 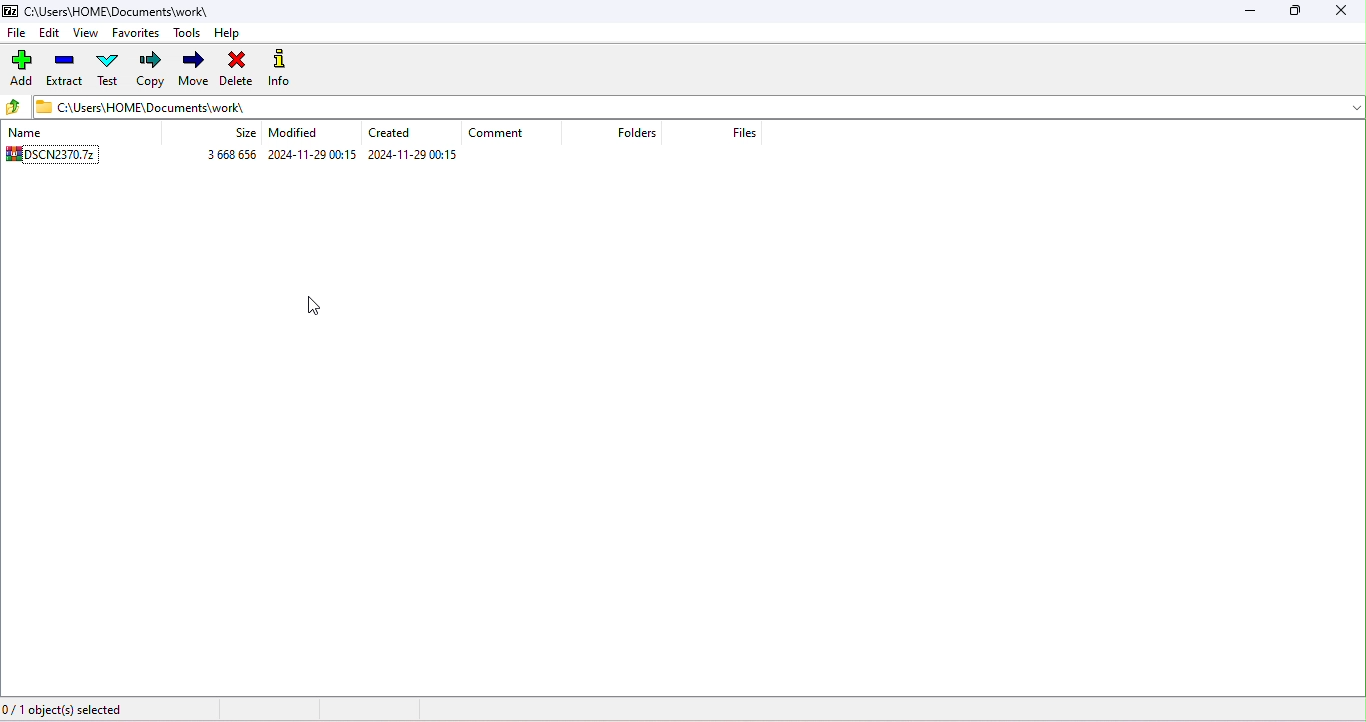 I want to click on name, so click(x=50, y=132).